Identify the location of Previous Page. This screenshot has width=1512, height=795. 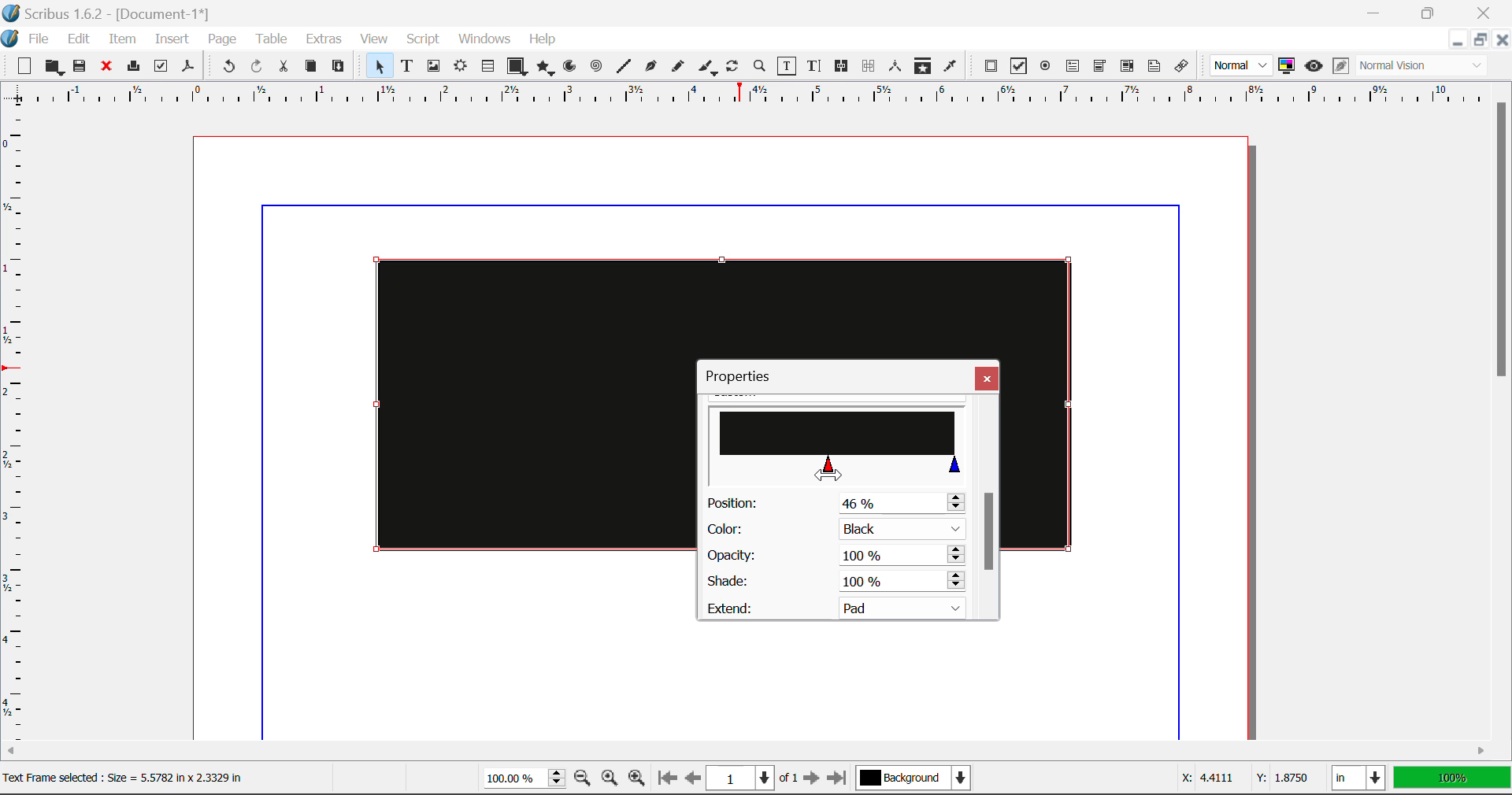
(693, 780).